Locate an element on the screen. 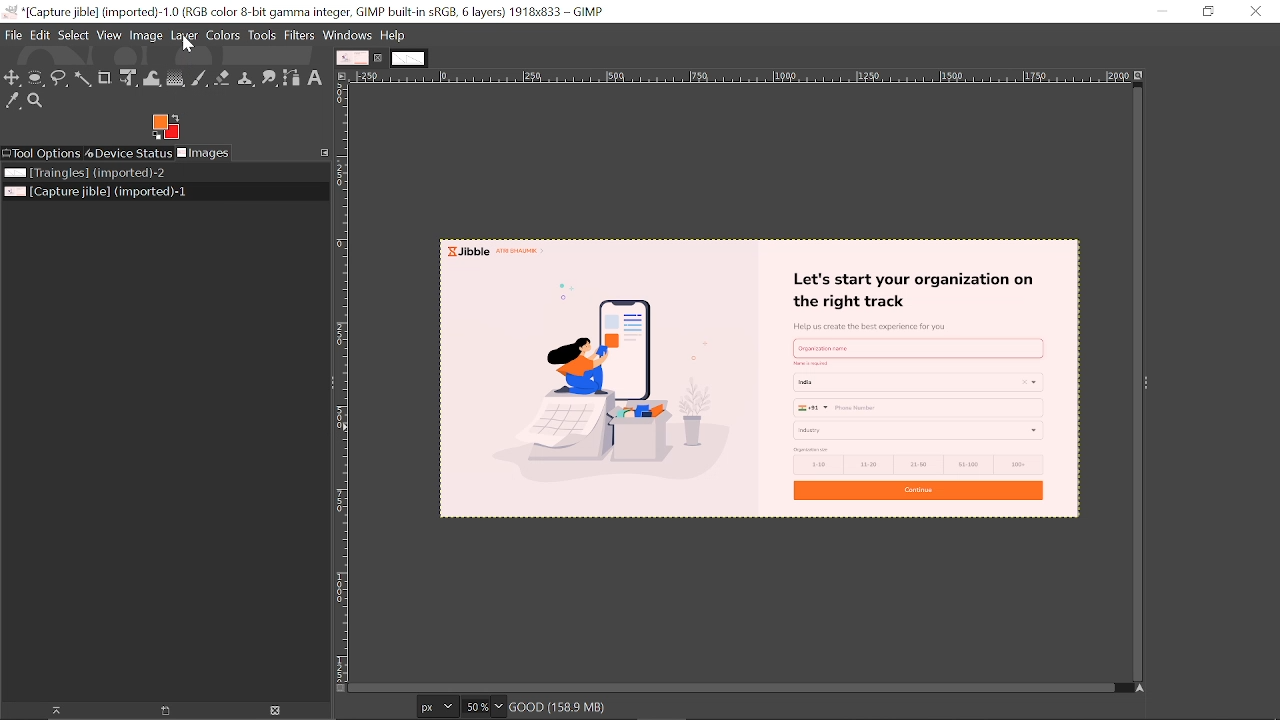  Horizontal label is located at coordinates (742, 77).